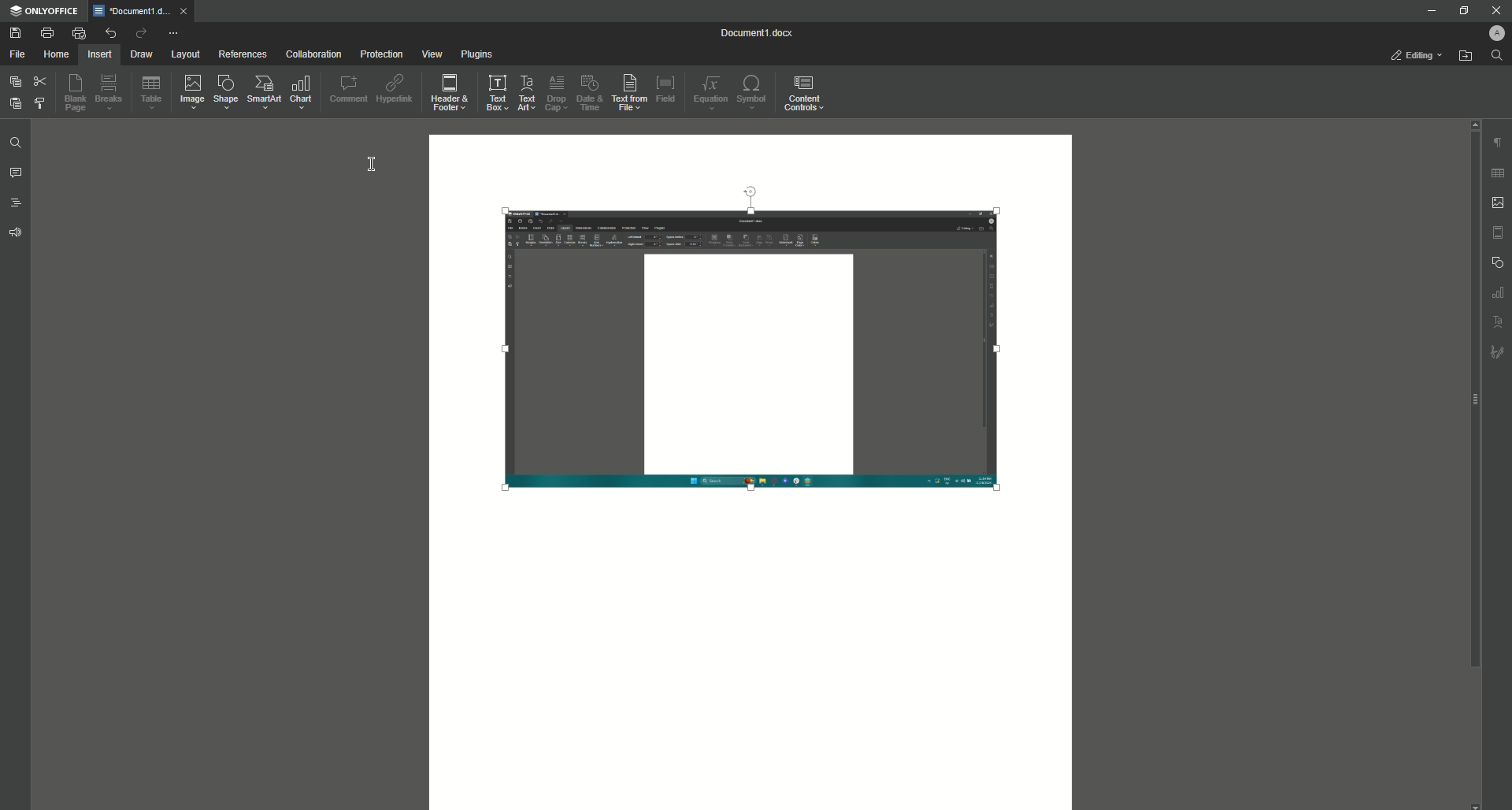  Describe the element at coordinates (193, 94) in the screenshot. I see `Image` at that location.